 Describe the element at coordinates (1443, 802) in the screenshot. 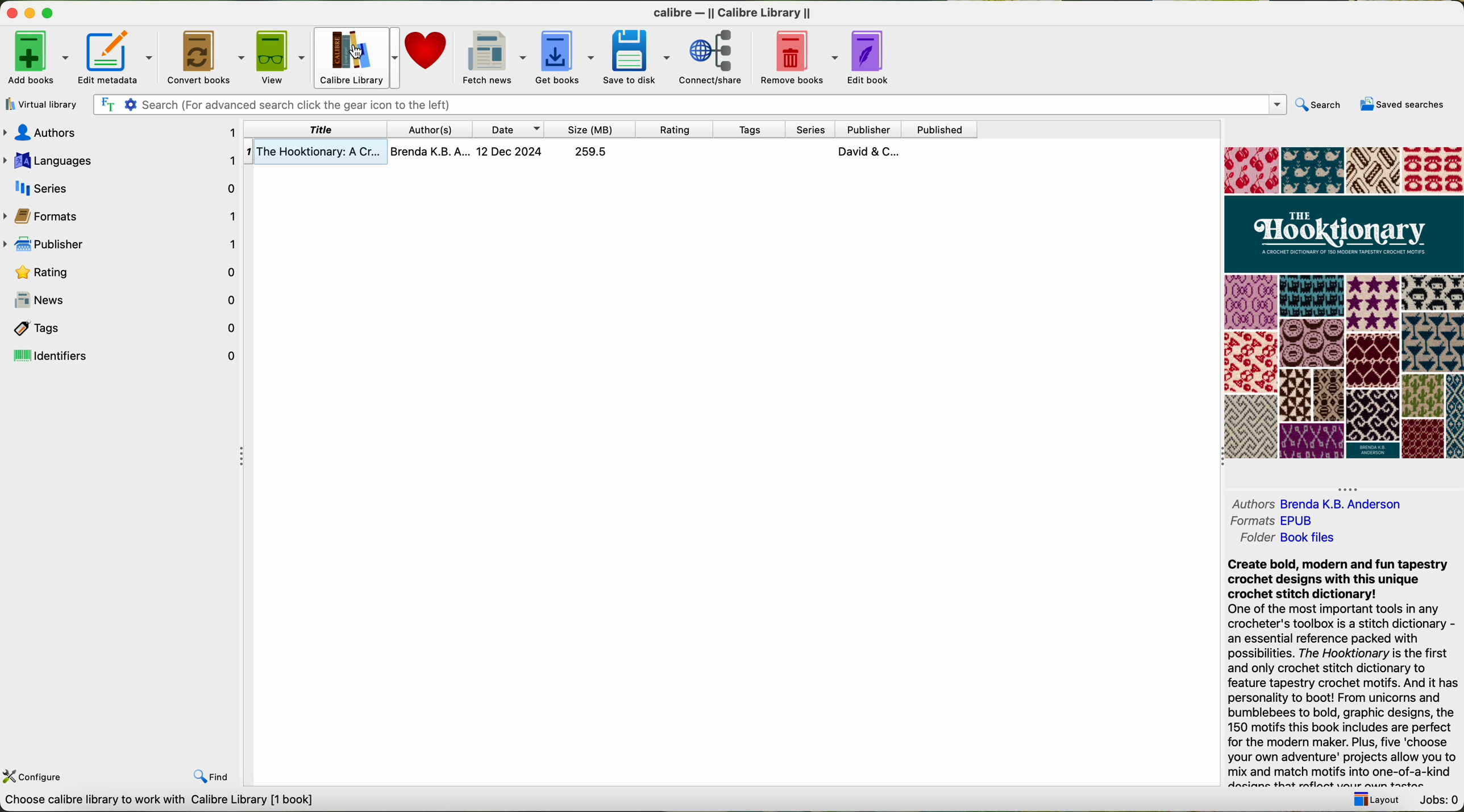

I see `jobs: 0` at that location.